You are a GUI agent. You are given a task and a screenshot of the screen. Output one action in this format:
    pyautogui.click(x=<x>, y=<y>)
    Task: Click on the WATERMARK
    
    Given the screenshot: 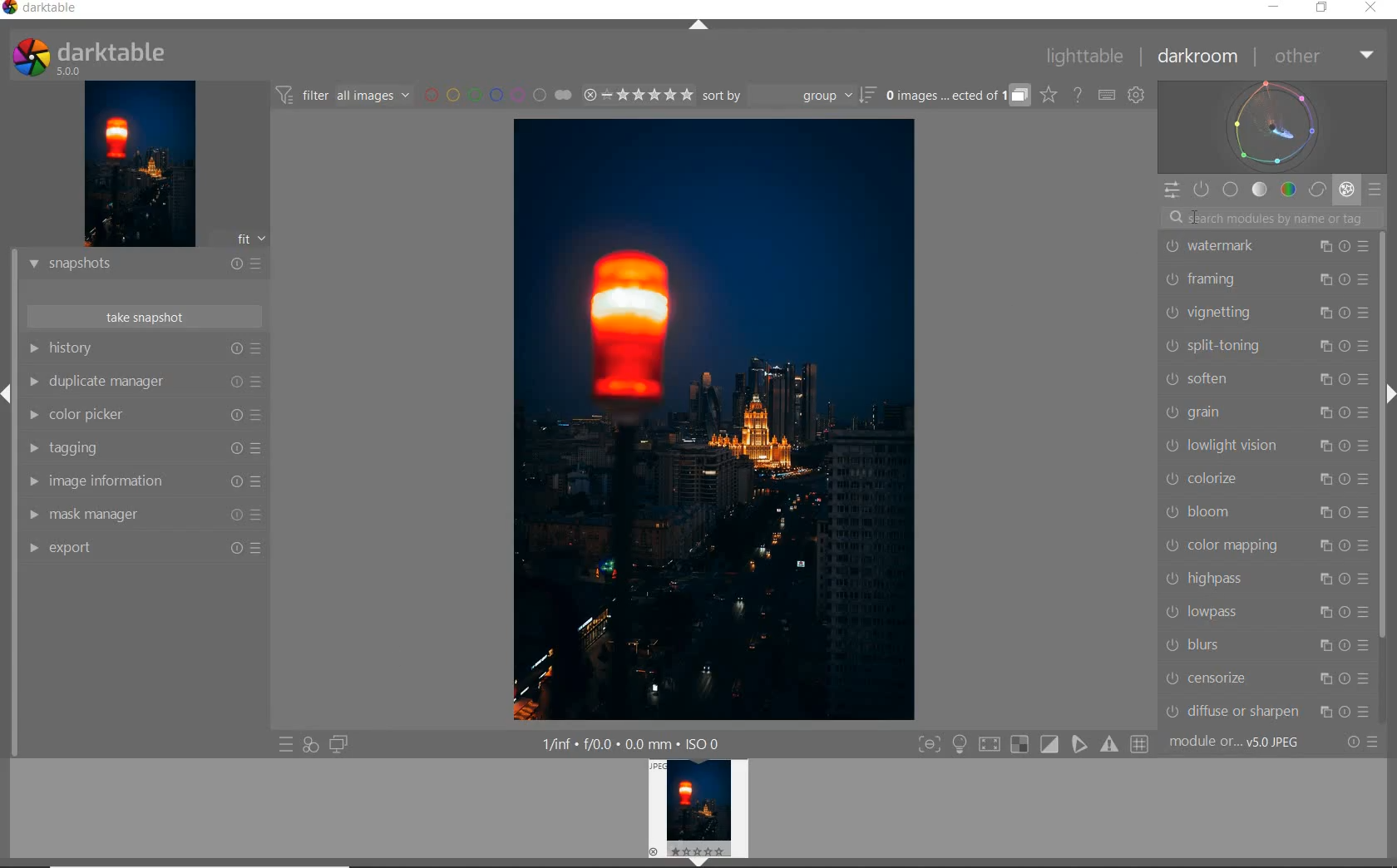 What is the action you would take?
    pyautogui.click(x=1229, y=248)
    